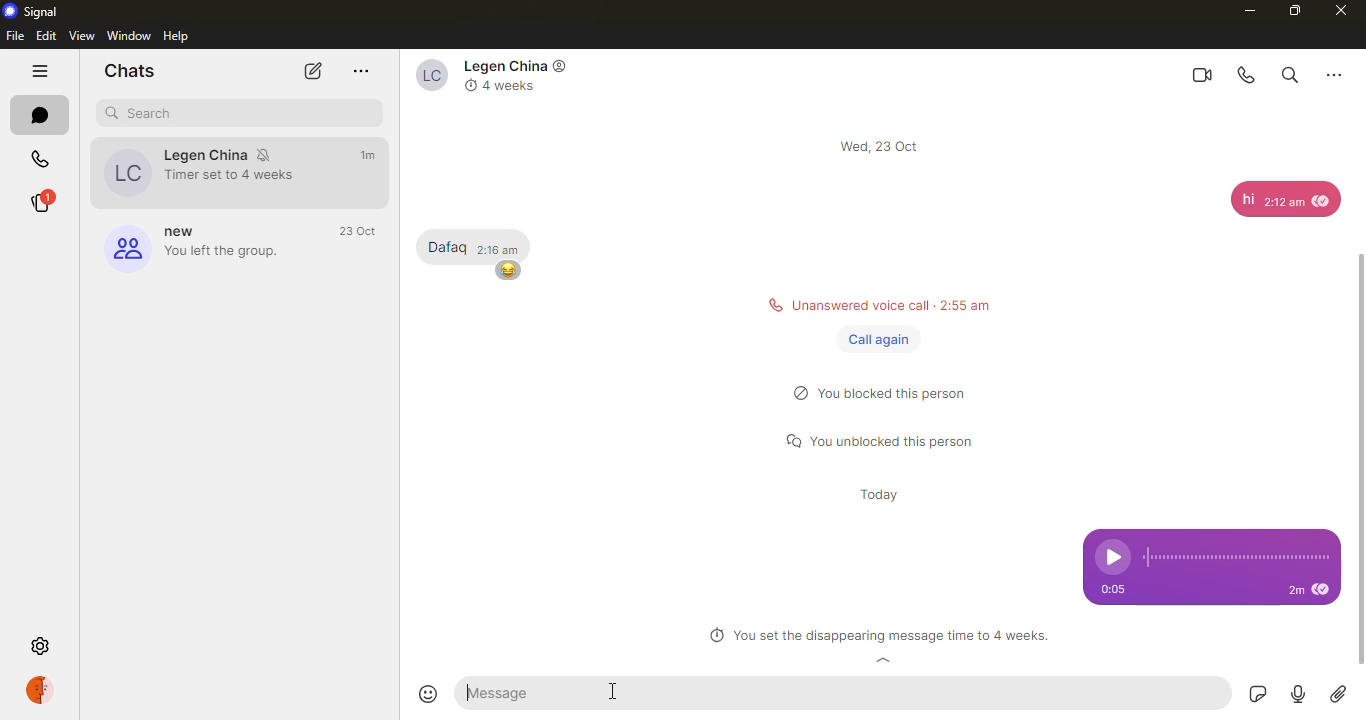 This screenshot has height=720, width=1366. What do you see at coordinates (1342, 11) in the screenshot?
I see `close` at bounding box center [1342, 11].